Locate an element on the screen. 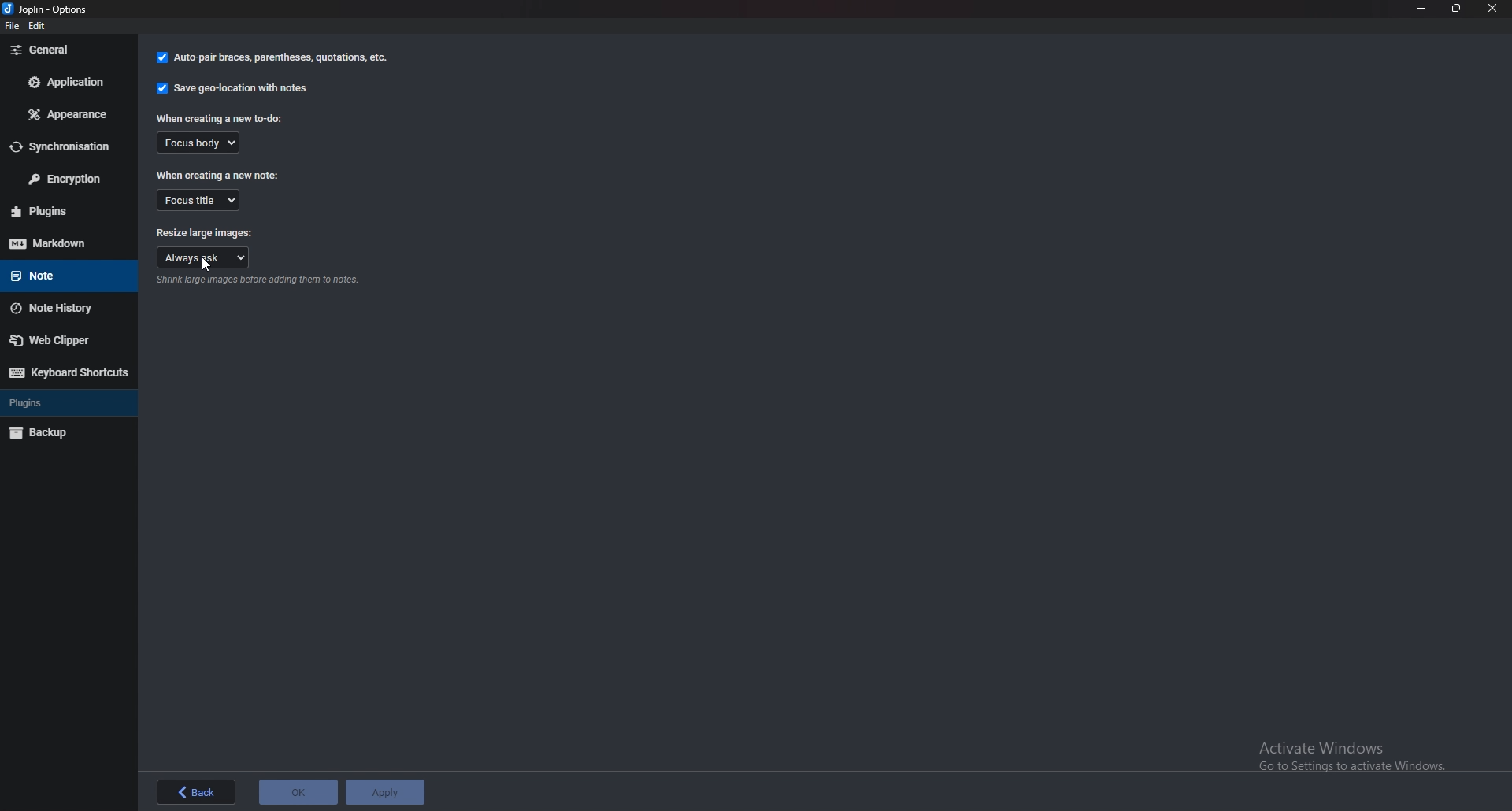 Image resolution: width=1512 pixels, height=811 pixels. Activate windows pop up is located at coordinates (1357, 753).